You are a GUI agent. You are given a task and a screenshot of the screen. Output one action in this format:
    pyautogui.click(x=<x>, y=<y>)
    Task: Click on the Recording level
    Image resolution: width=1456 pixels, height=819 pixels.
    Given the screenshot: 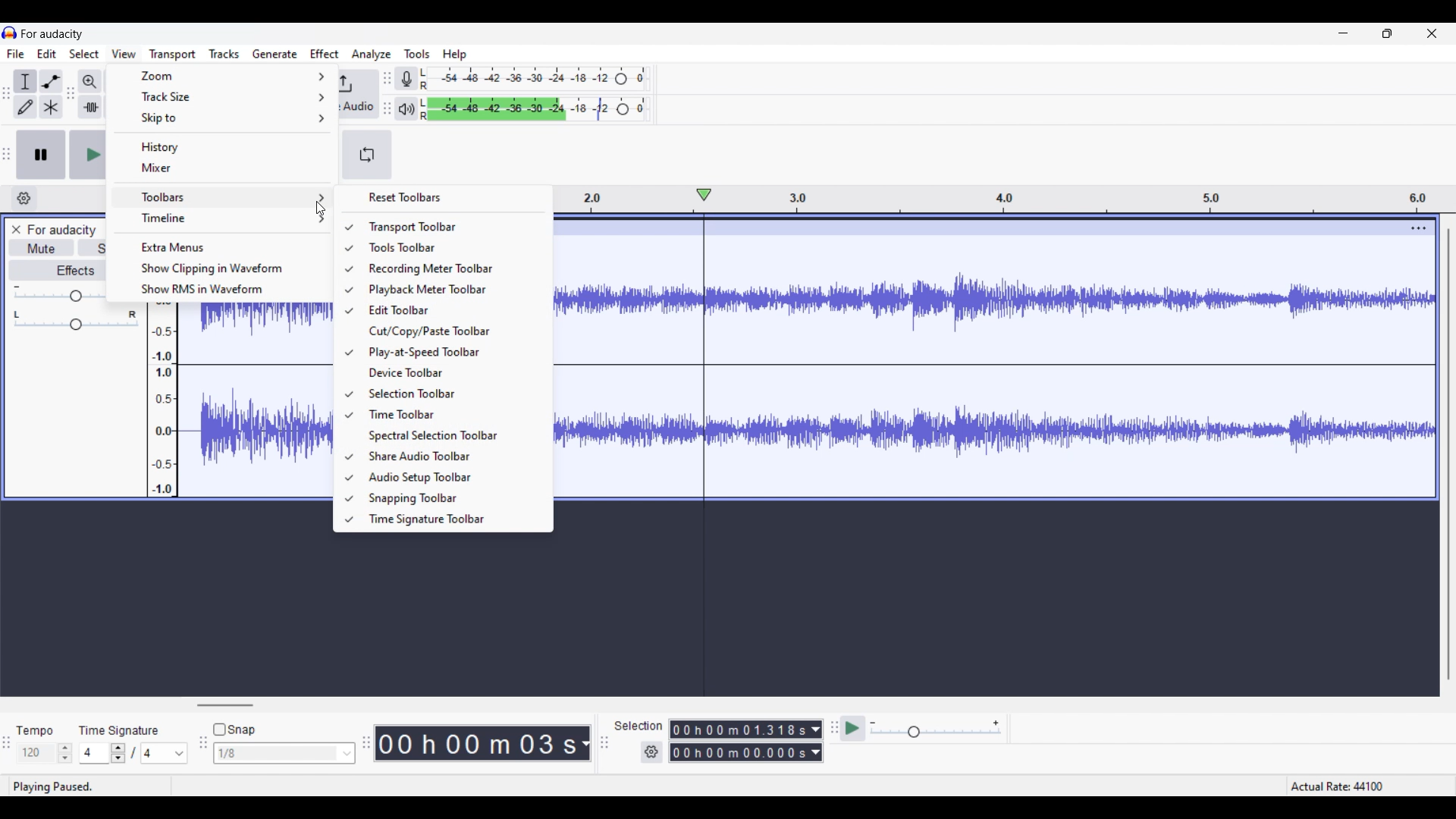 What is the action you would take?
    pyautogui.click(x=535, y=79)
    